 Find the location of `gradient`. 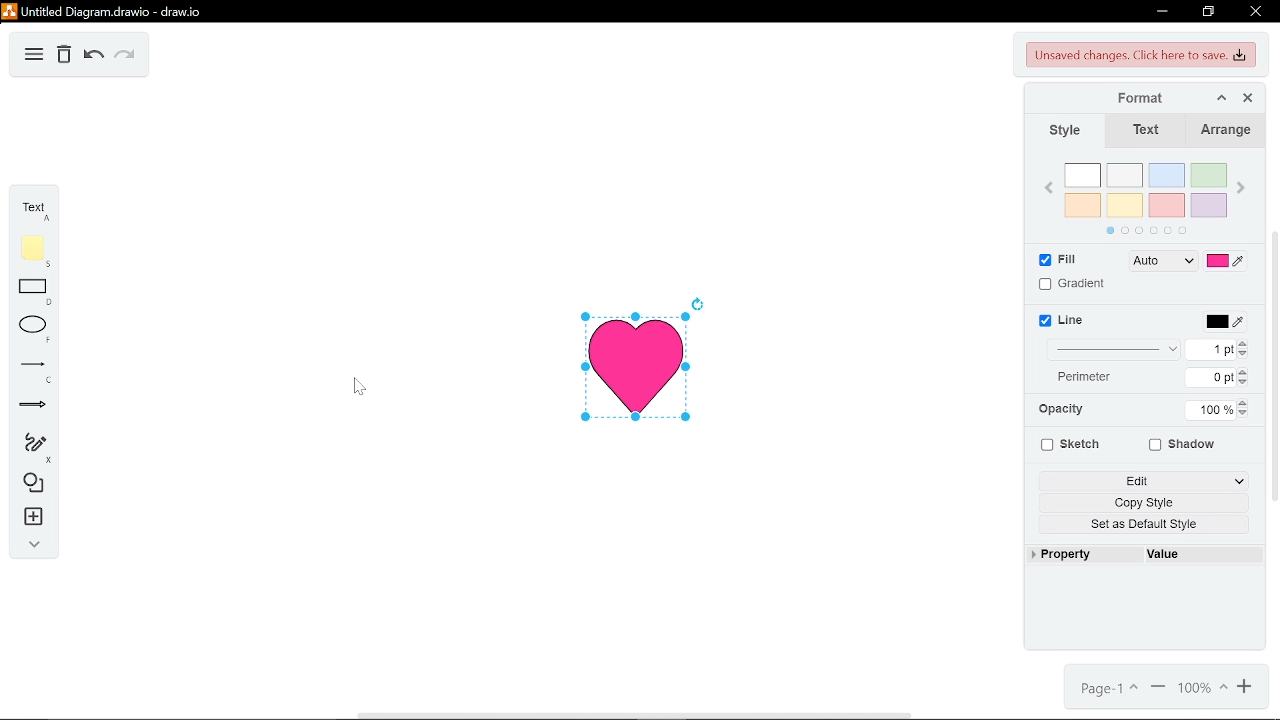

gradient is located at coordinates (1071, 284).